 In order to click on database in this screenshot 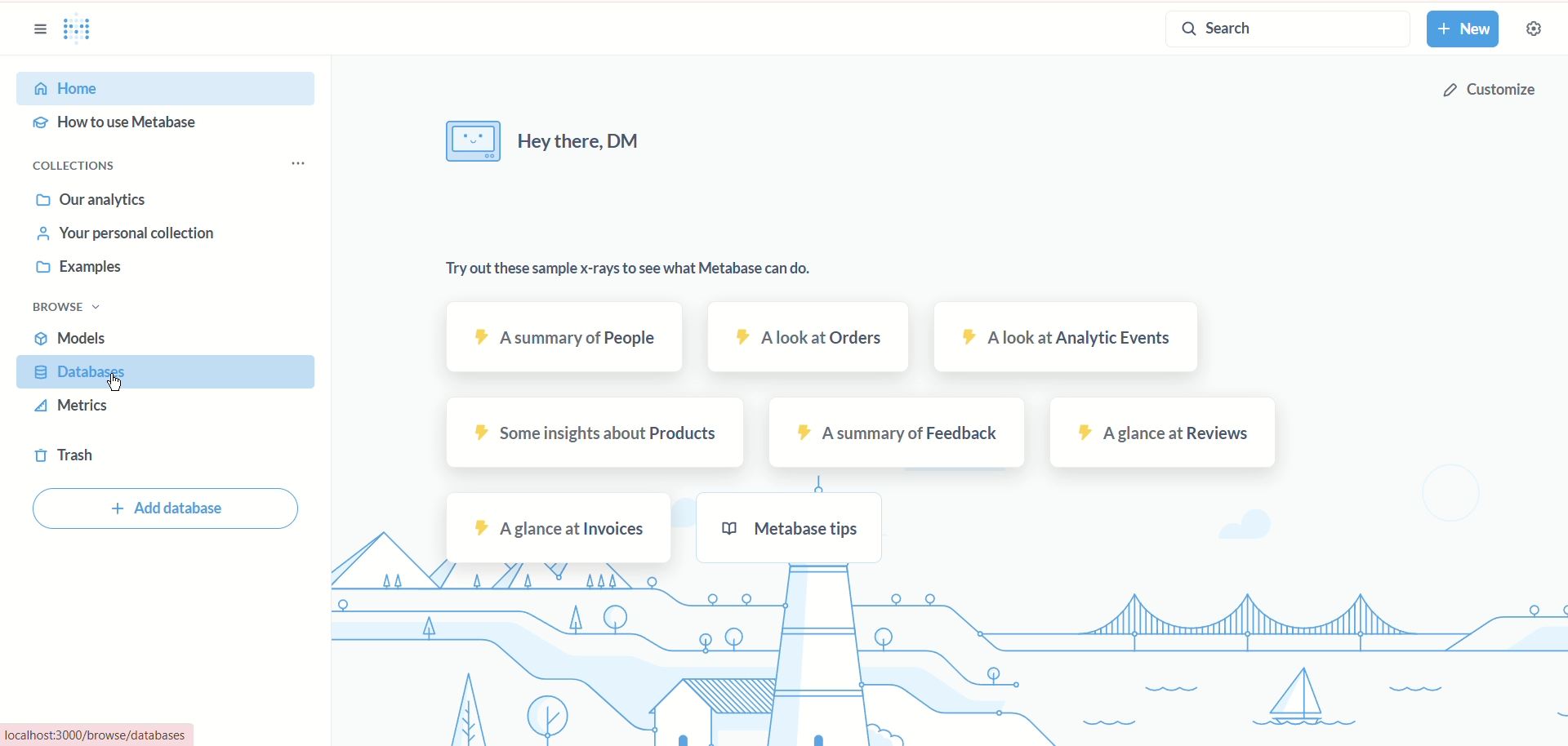, I will do `click(165, 371)`.